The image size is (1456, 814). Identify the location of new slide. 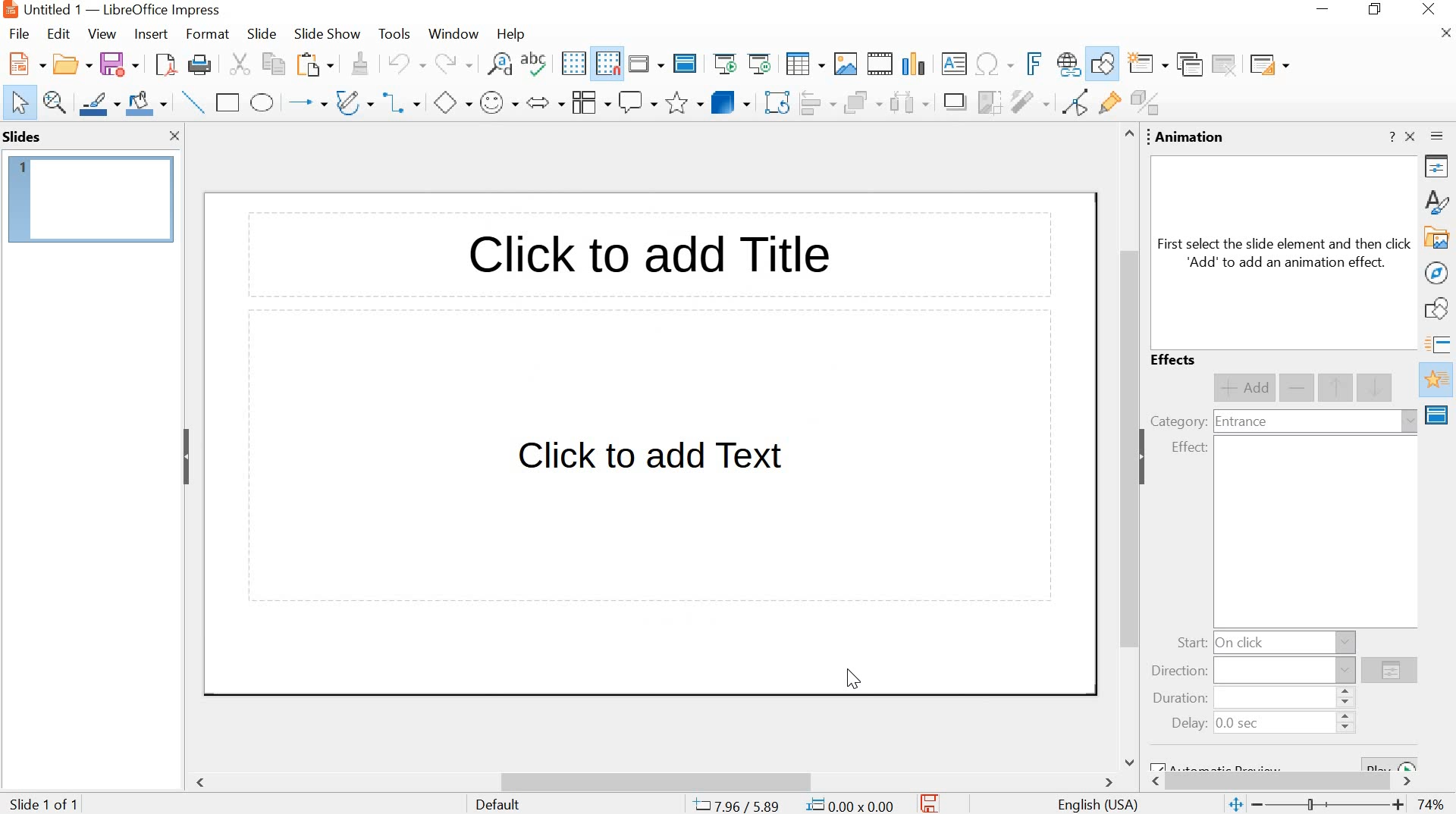
(1149, 65).